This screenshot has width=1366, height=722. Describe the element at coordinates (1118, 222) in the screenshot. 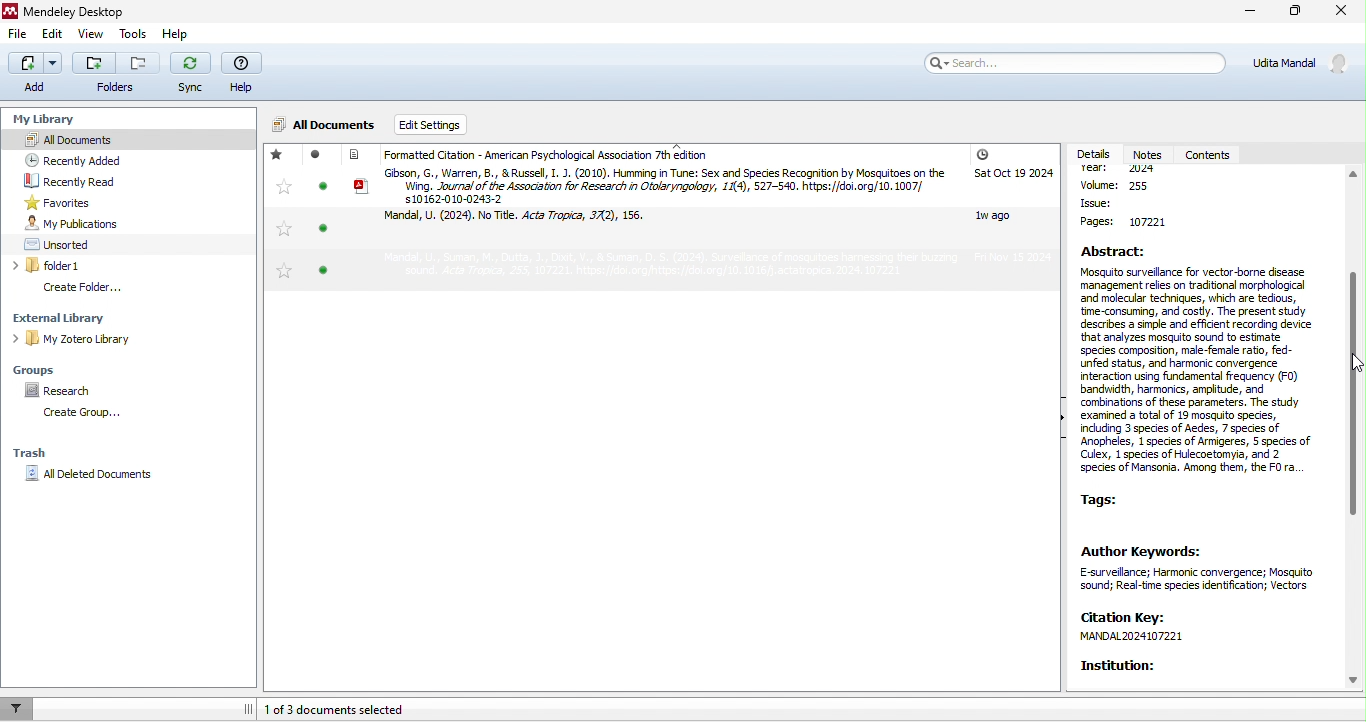

I see `page` at that location.